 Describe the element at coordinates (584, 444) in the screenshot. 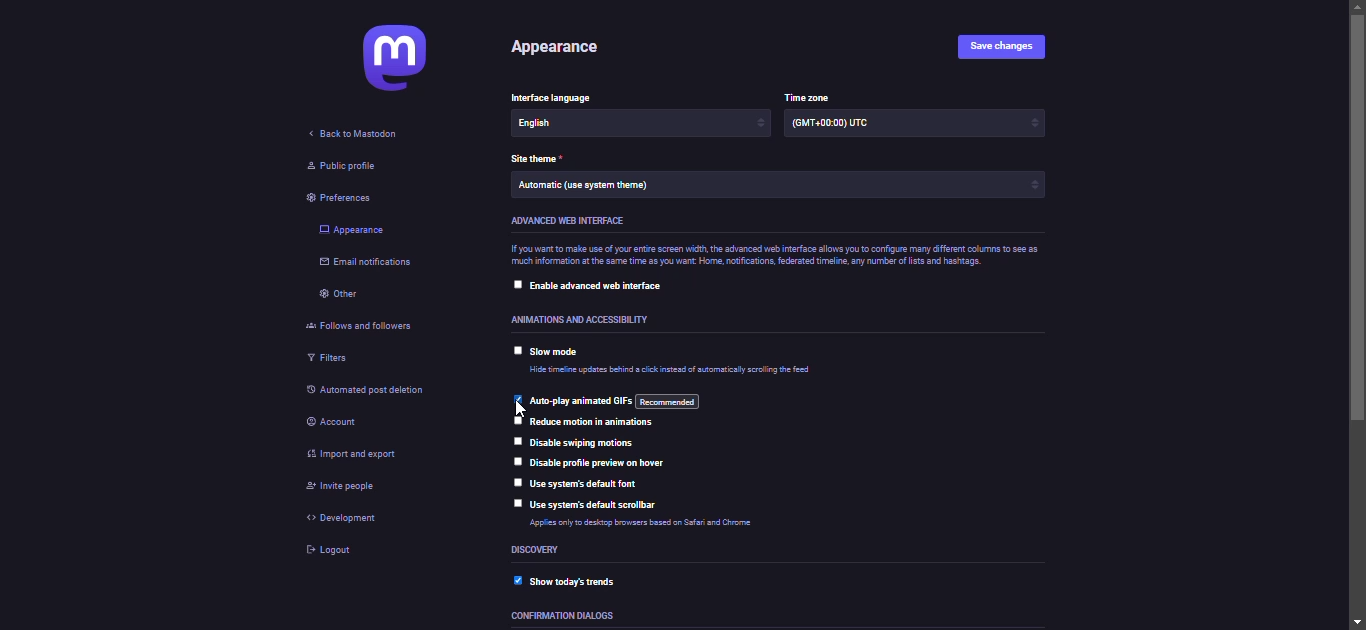

I see `disable swiping motions` at that location.